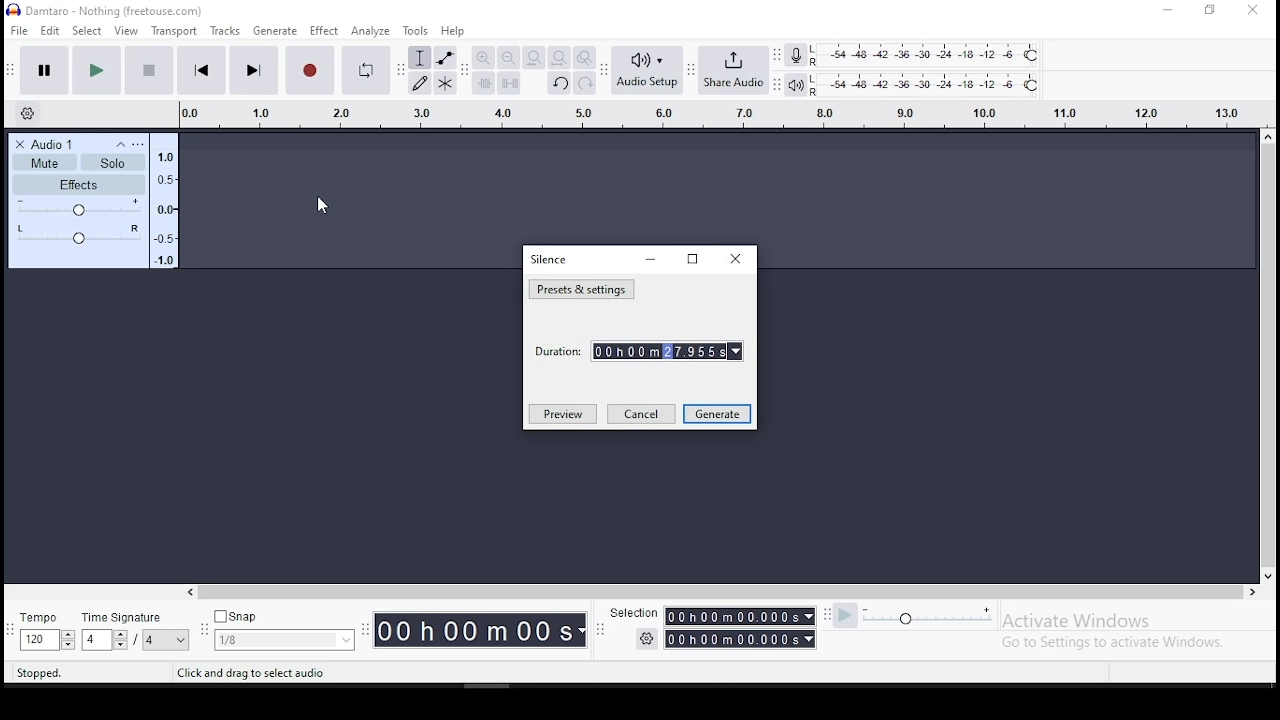  What do you see at coordinates (51, 30) in the screenshot?
I see `edit` at bounding box center [51, 30].